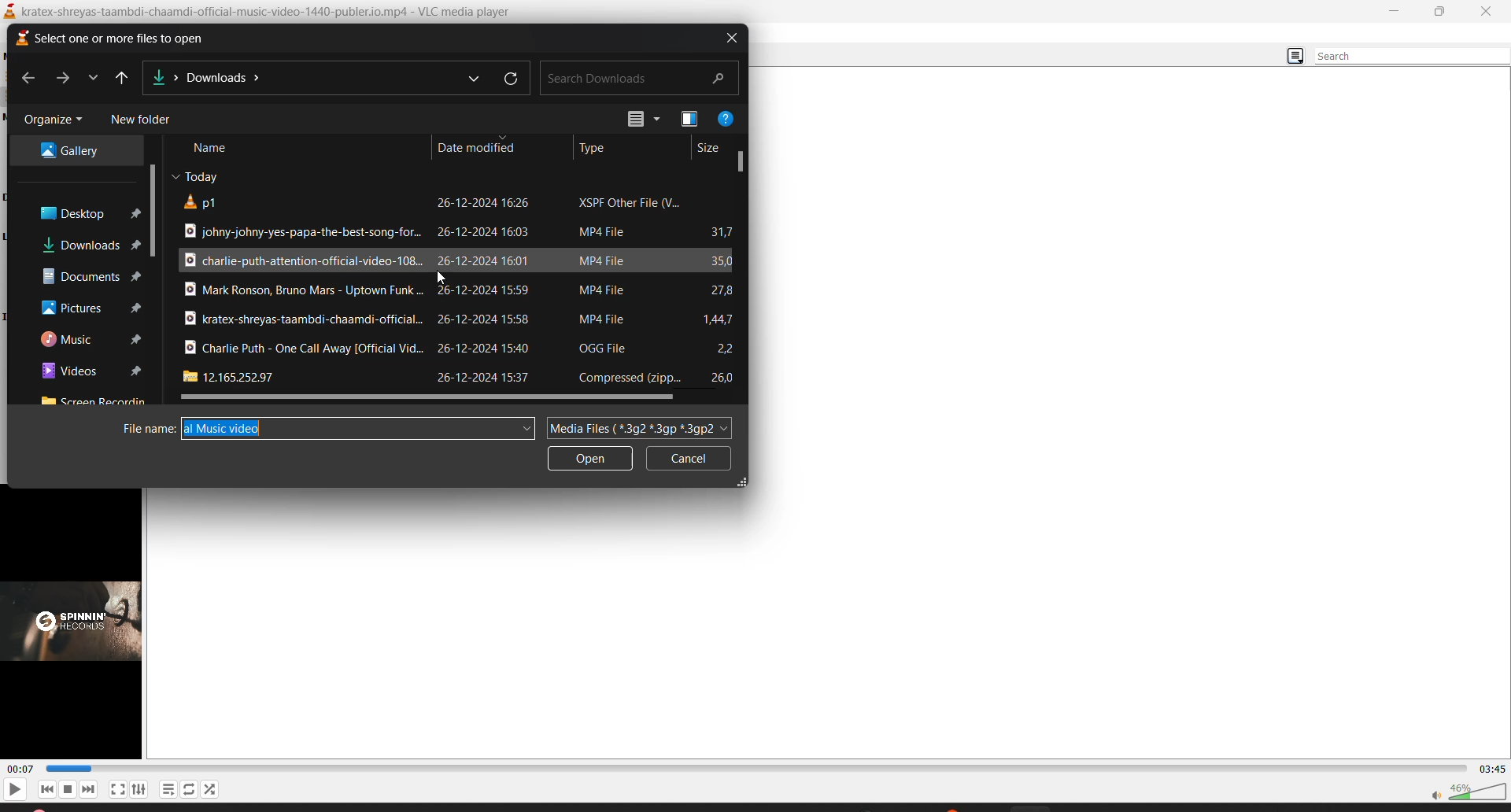  What do you see at coordinates (492, 234) in the screenshot?
I see `date modified` at bounding box center [492, 234].